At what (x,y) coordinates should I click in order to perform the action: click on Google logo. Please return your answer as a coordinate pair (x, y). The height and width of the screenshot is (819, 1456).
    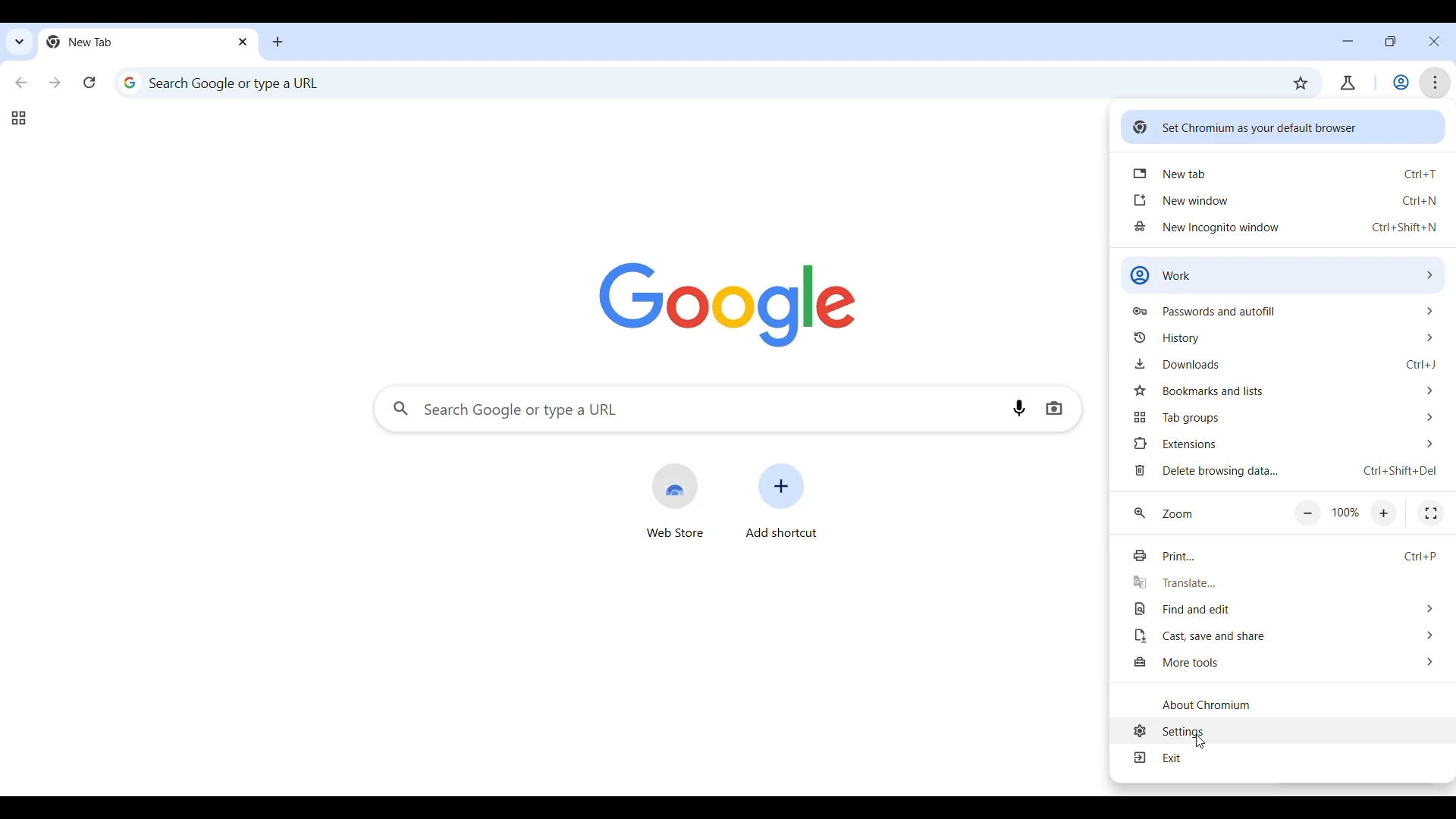
    Looking at the image, I should click on (728, 306).